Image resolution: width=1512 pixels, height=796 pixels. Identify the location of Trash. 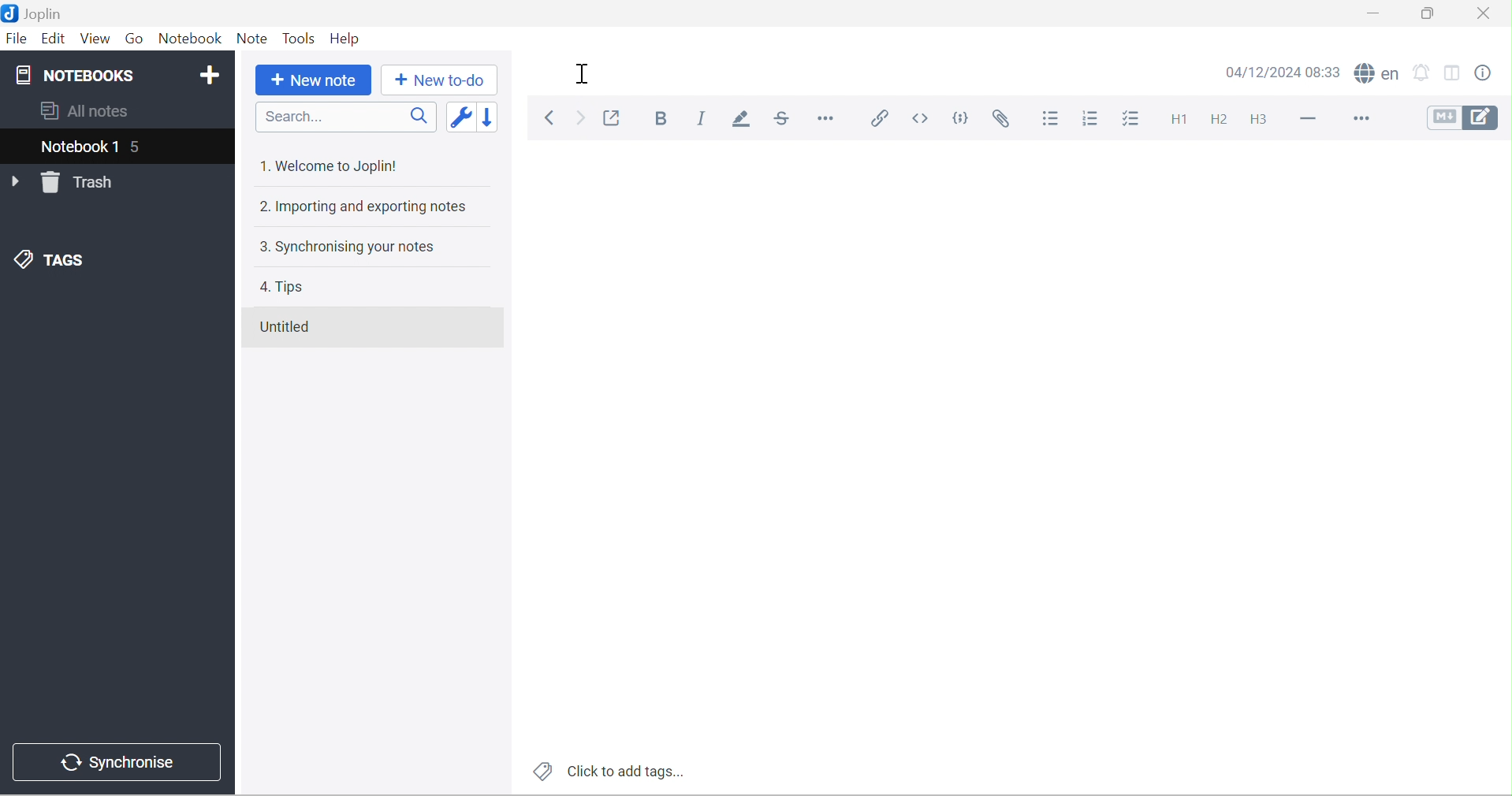
(81, 183).